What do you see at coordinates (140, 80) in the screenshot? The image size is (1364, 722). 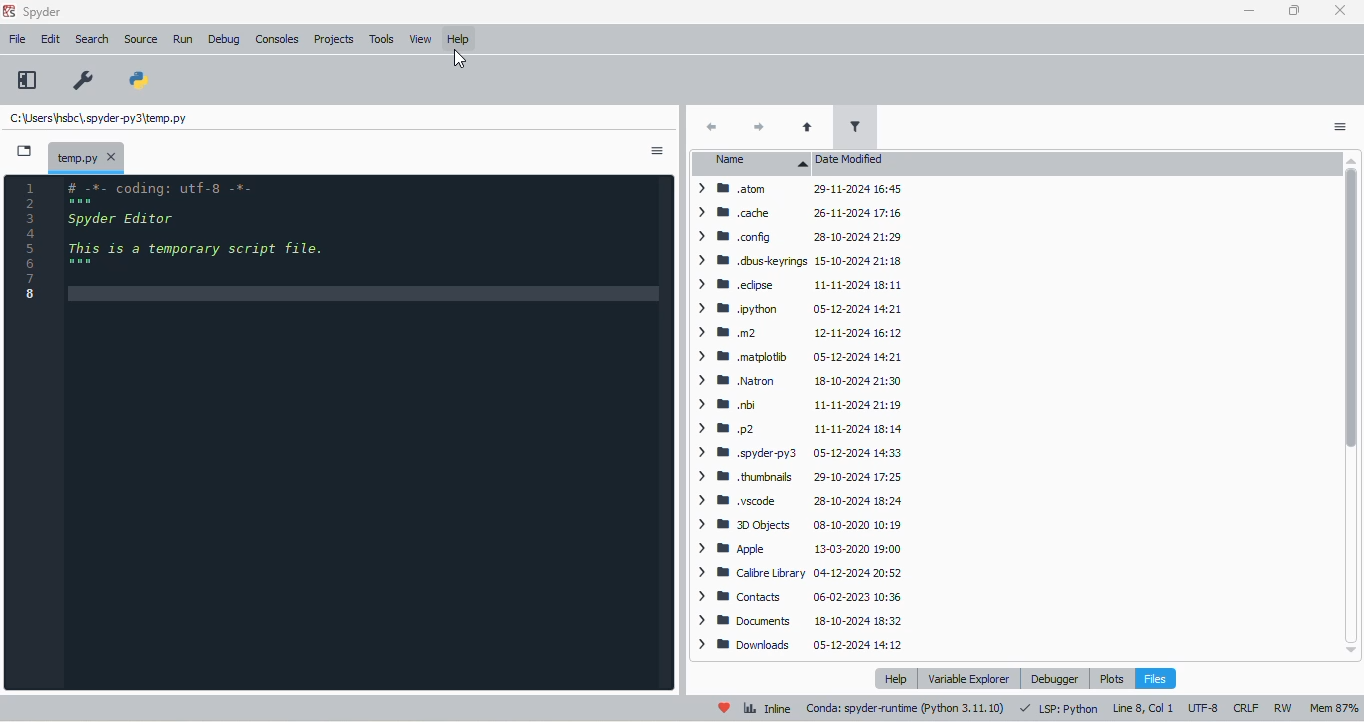 I see `PYTHONPATH manager` at bounding box center [140, 80].